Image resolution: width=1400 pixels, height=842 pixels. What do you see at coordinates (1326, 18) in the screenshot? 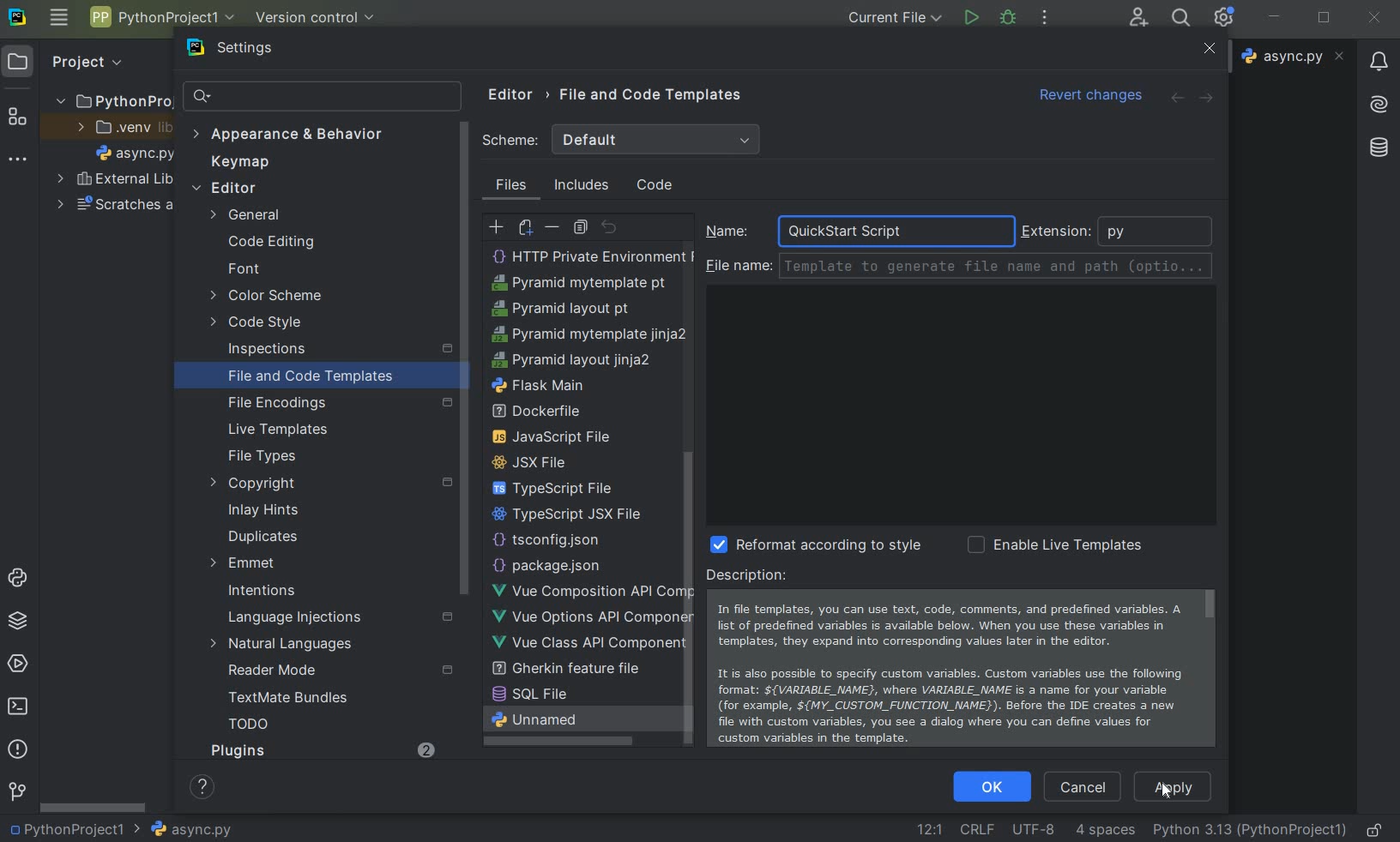
I see `restore down` at bounding box center [1326, 18].